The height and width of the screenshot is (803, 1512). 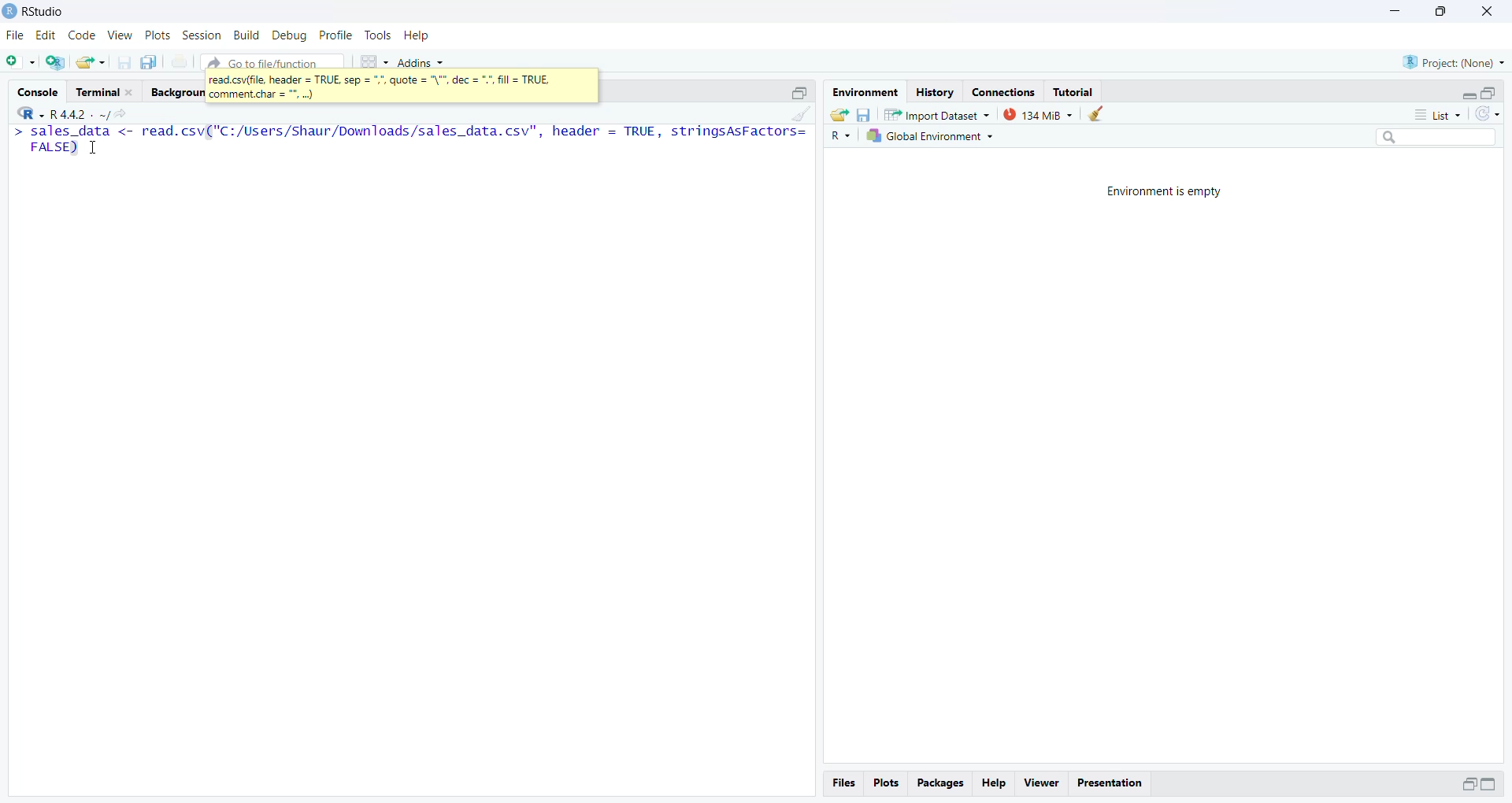 What do you see at coordinates (47, 37) in the screenshot?
I see `Edit` at bounding box center [47, 37].